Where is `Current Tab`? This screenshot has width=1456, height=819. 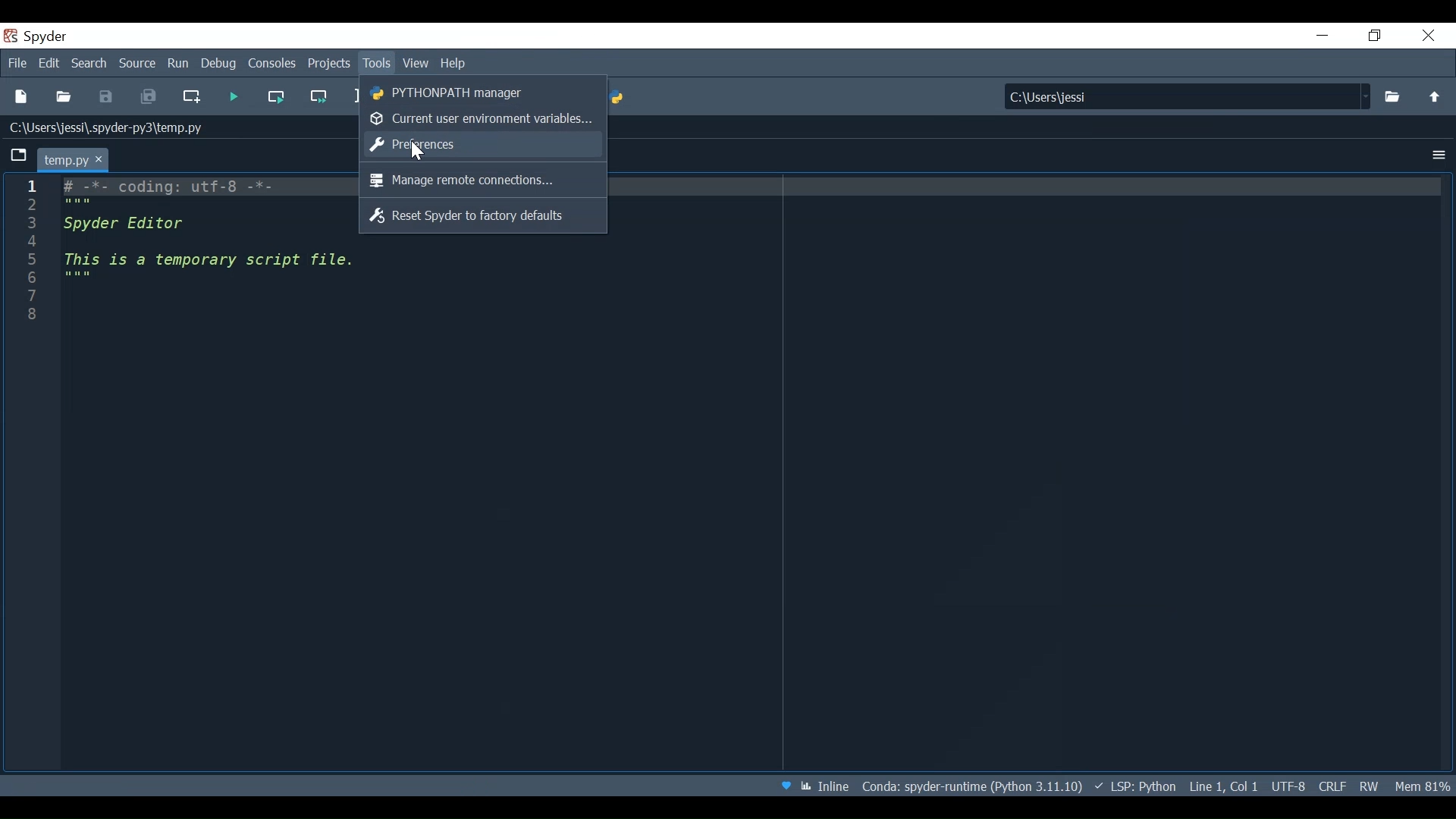 Current Tab is located at coordinates (71, 158).